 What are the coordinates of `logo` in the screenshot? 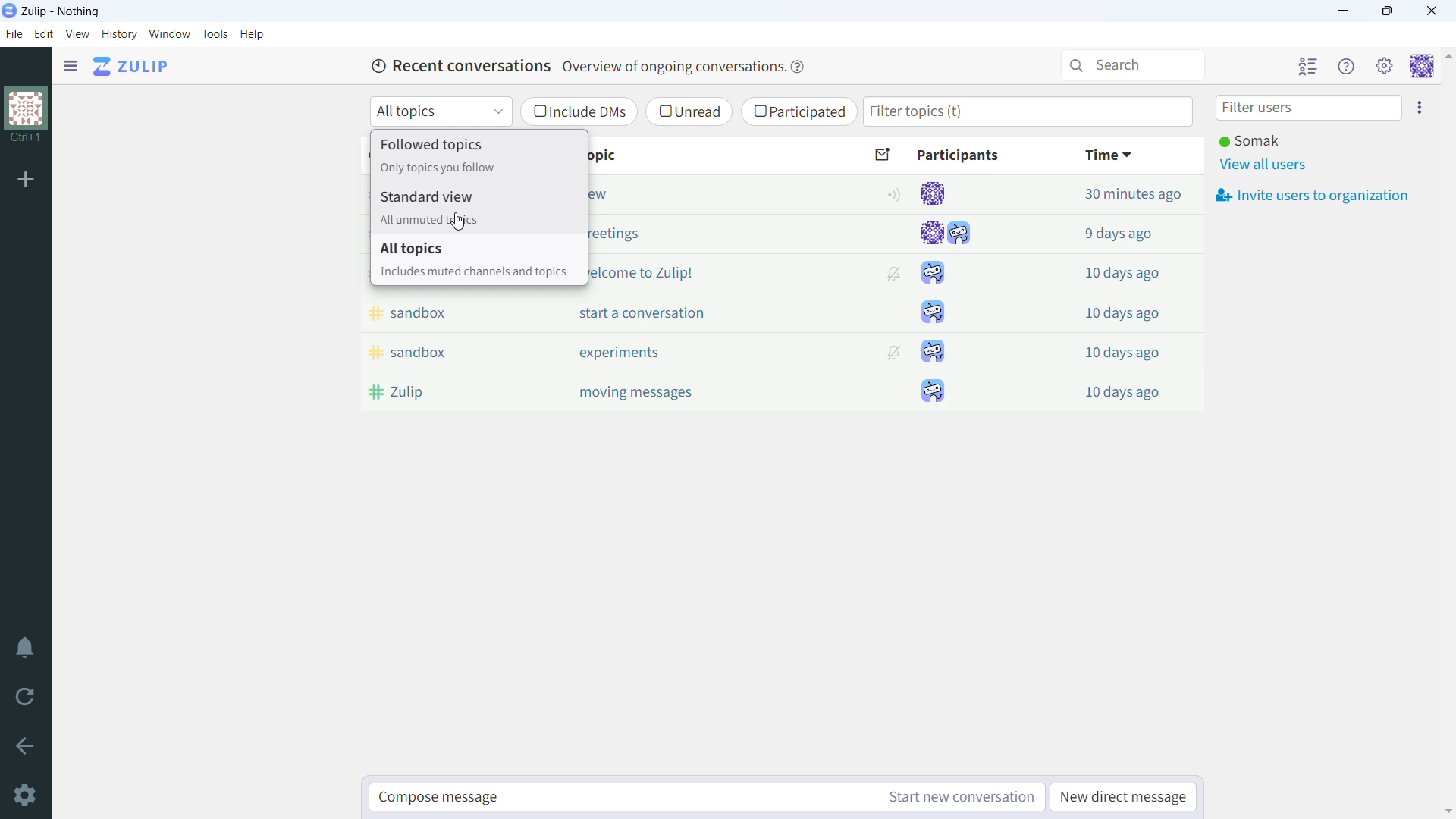 It's located at (9, 11).